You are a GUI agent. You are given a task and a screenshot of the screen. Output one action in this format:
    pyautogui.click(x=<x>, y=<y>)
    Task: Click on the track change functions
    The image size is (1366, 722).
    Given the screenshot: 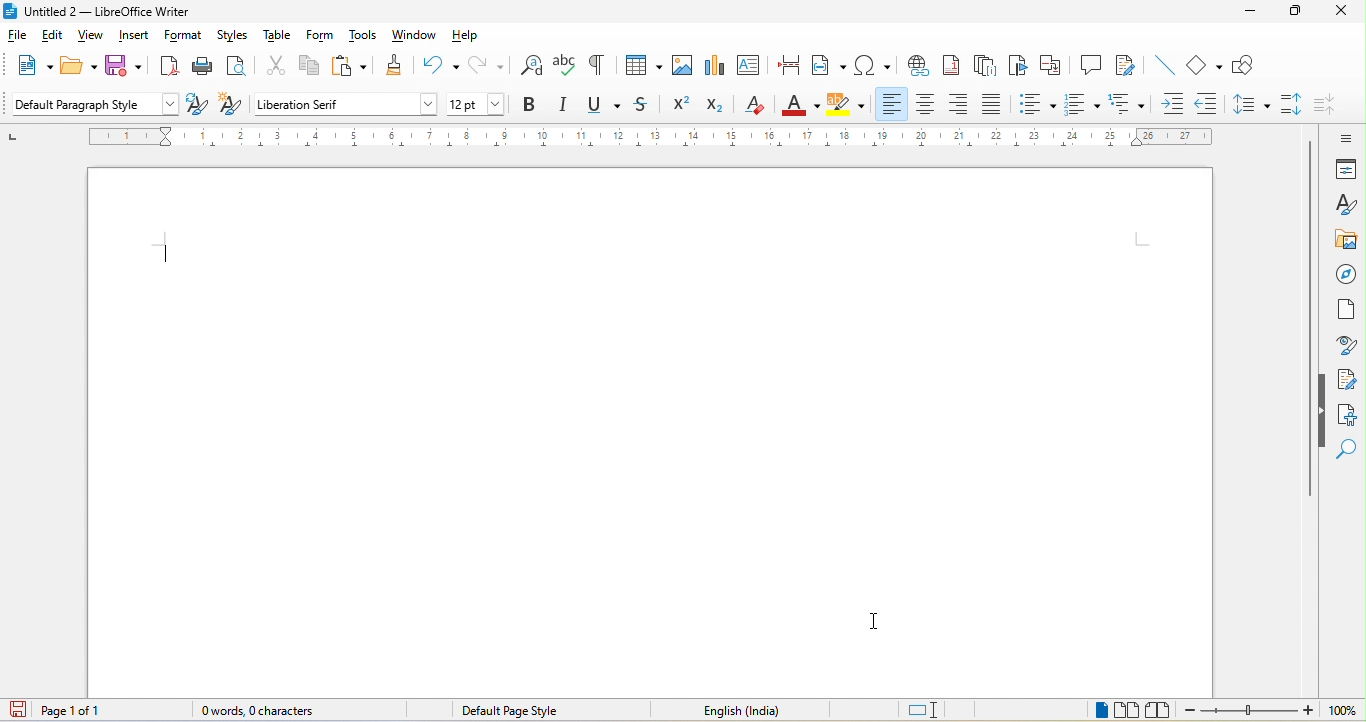 What is the action you would take?
    pyautogui.click(x=1124, y=68)
    